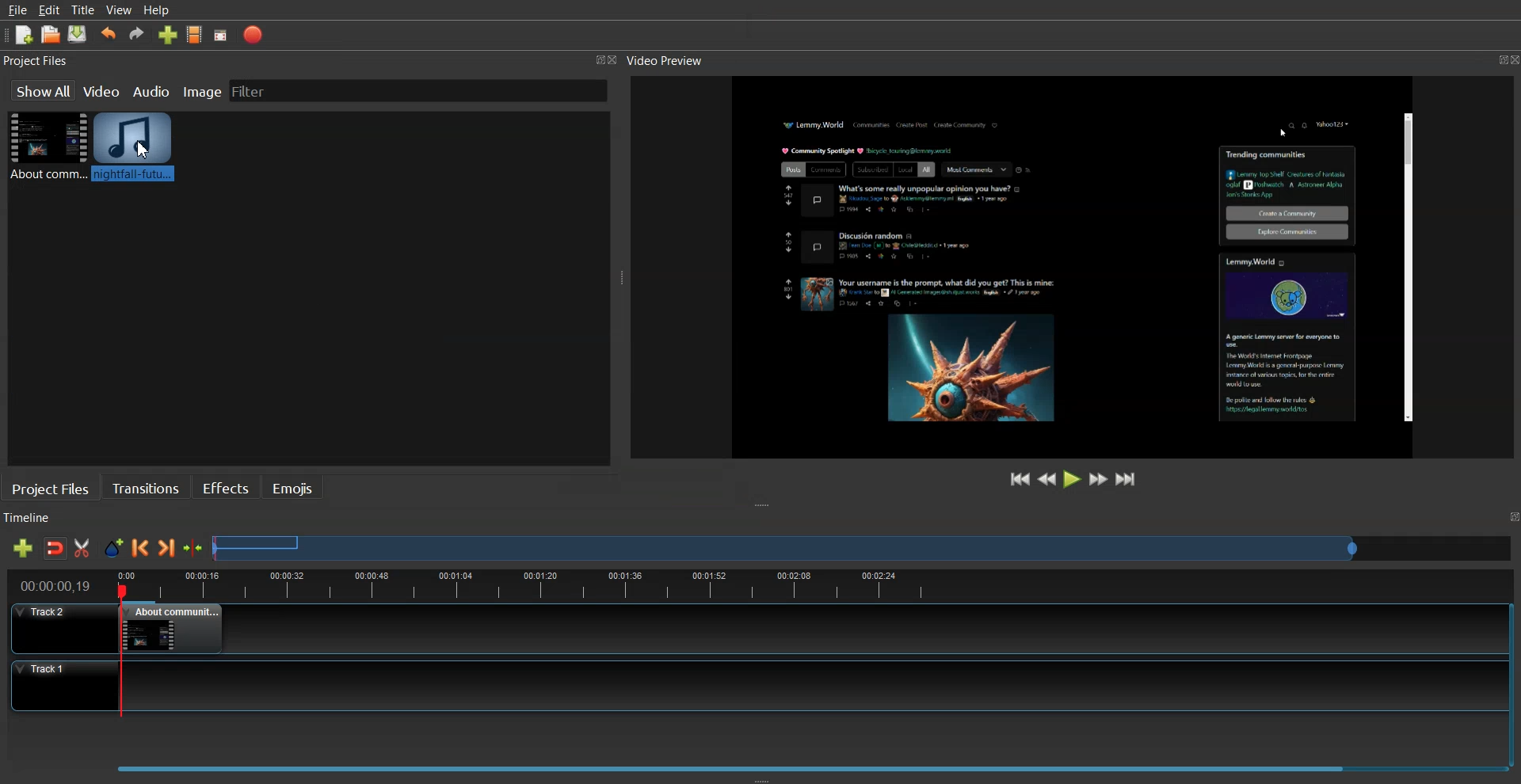 The height and width of the screenshot is (784, 1521). Describe the element at coordinates (55, 548) in the screenshot. I see `Disable snaping` at that location.